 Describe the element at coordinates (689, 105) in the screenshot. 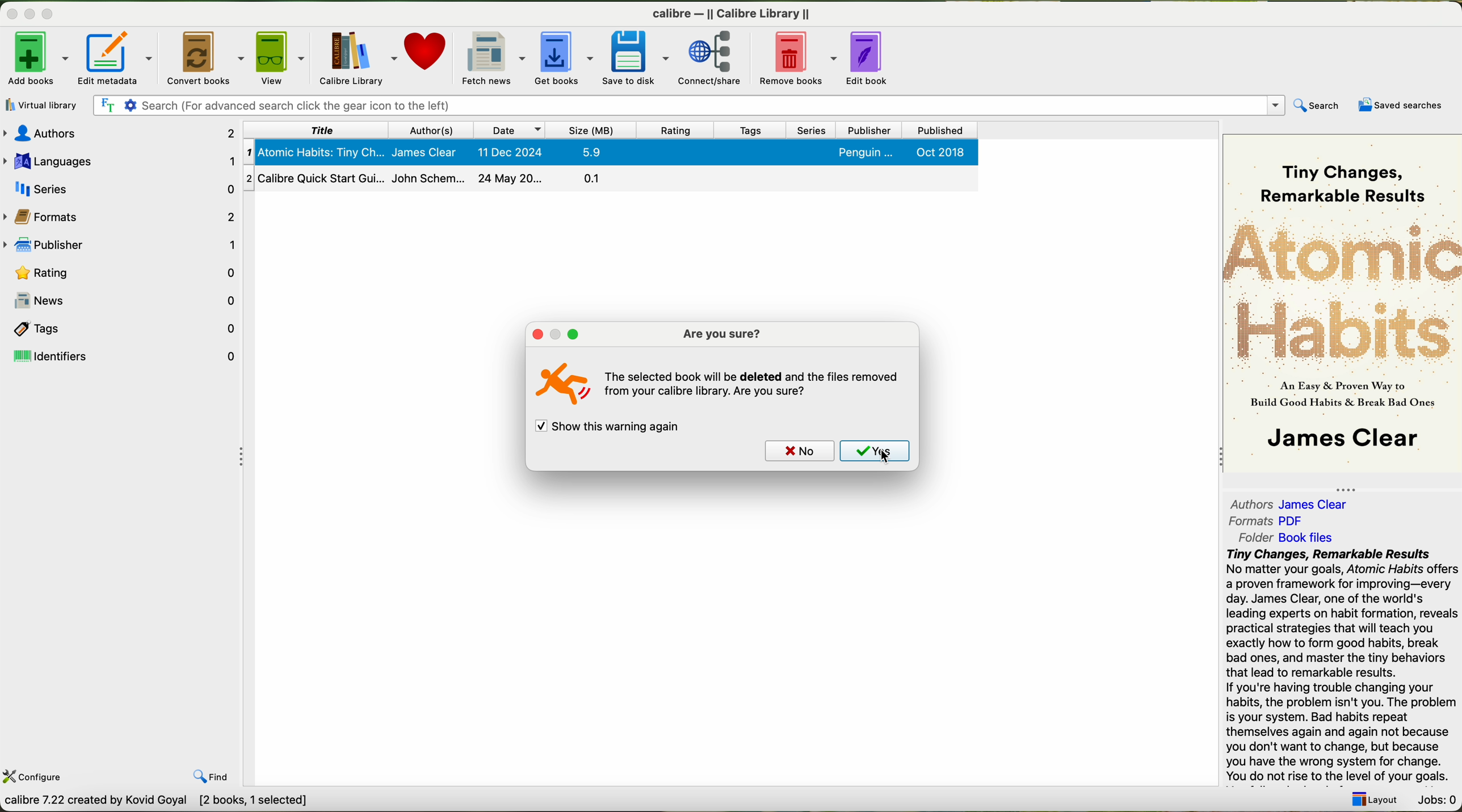

I see `search bar` at that location.